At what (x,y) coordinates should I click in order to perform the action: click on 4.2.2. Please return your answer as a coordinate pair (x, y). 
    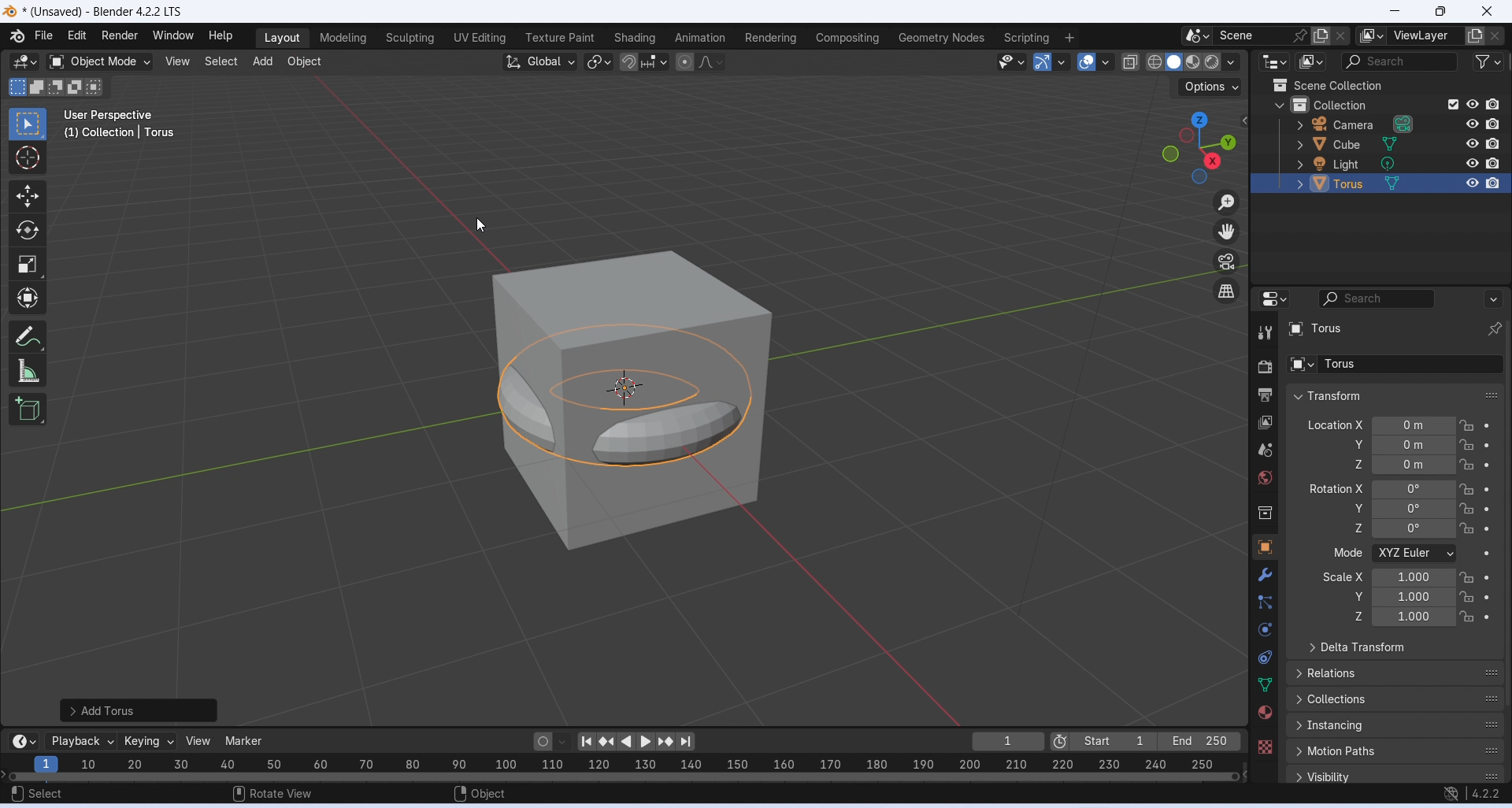
    Looking at the image, I should click on (1487, 794).